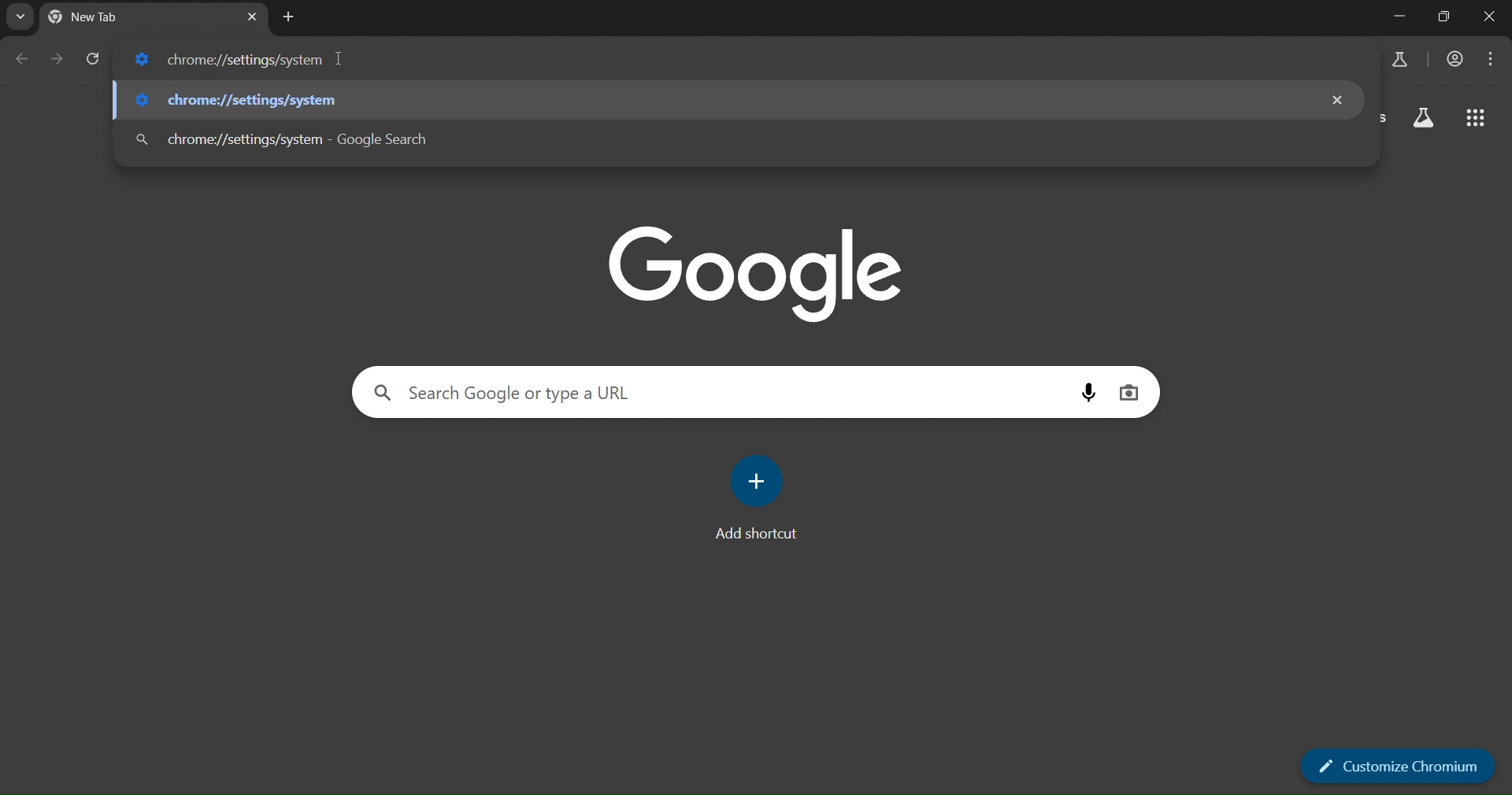 The image size is (1512, 795). I want to click on go back one page, so click(24, 60).